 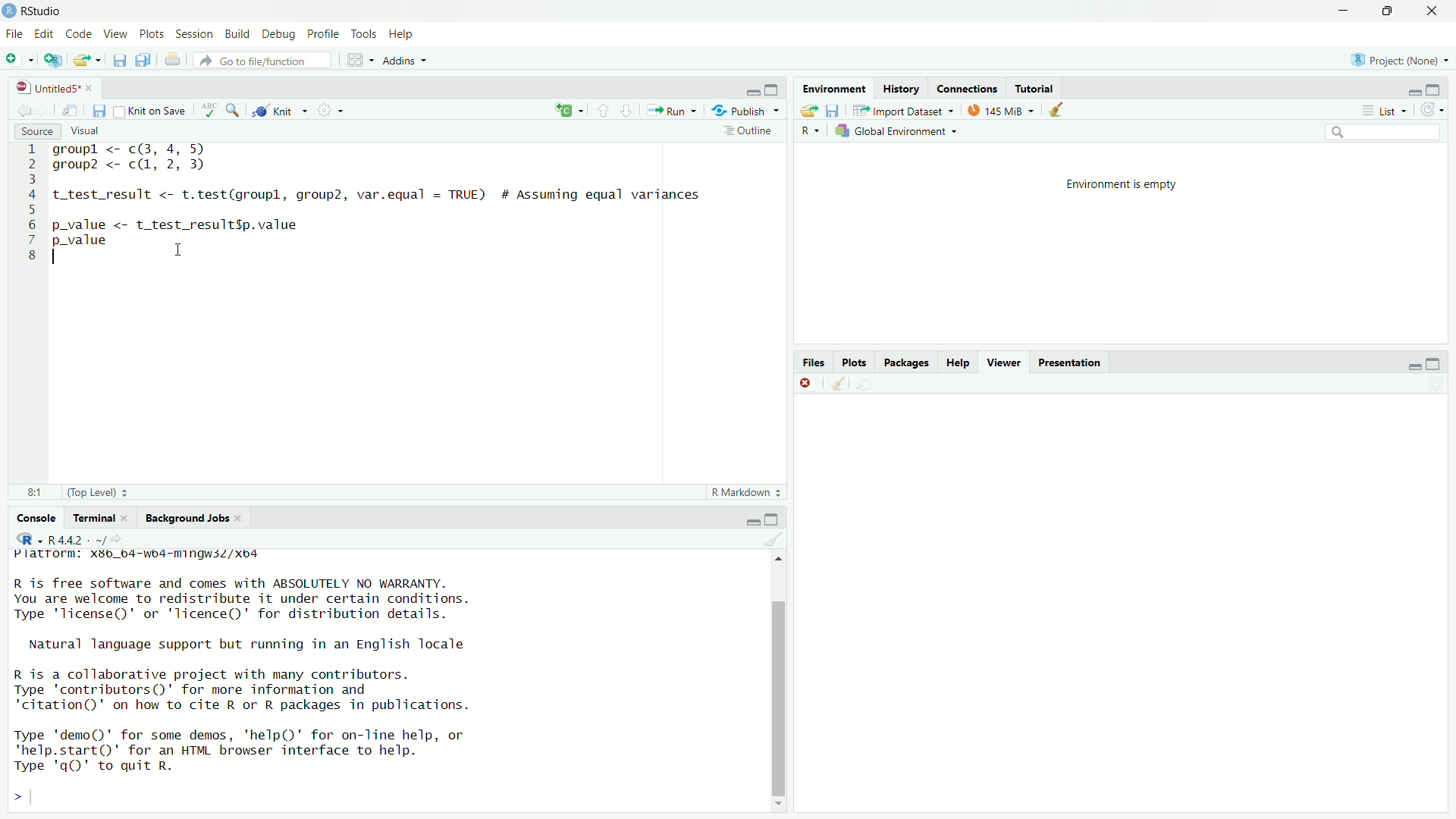 I want to click on Session, so click(x=196, y=32).